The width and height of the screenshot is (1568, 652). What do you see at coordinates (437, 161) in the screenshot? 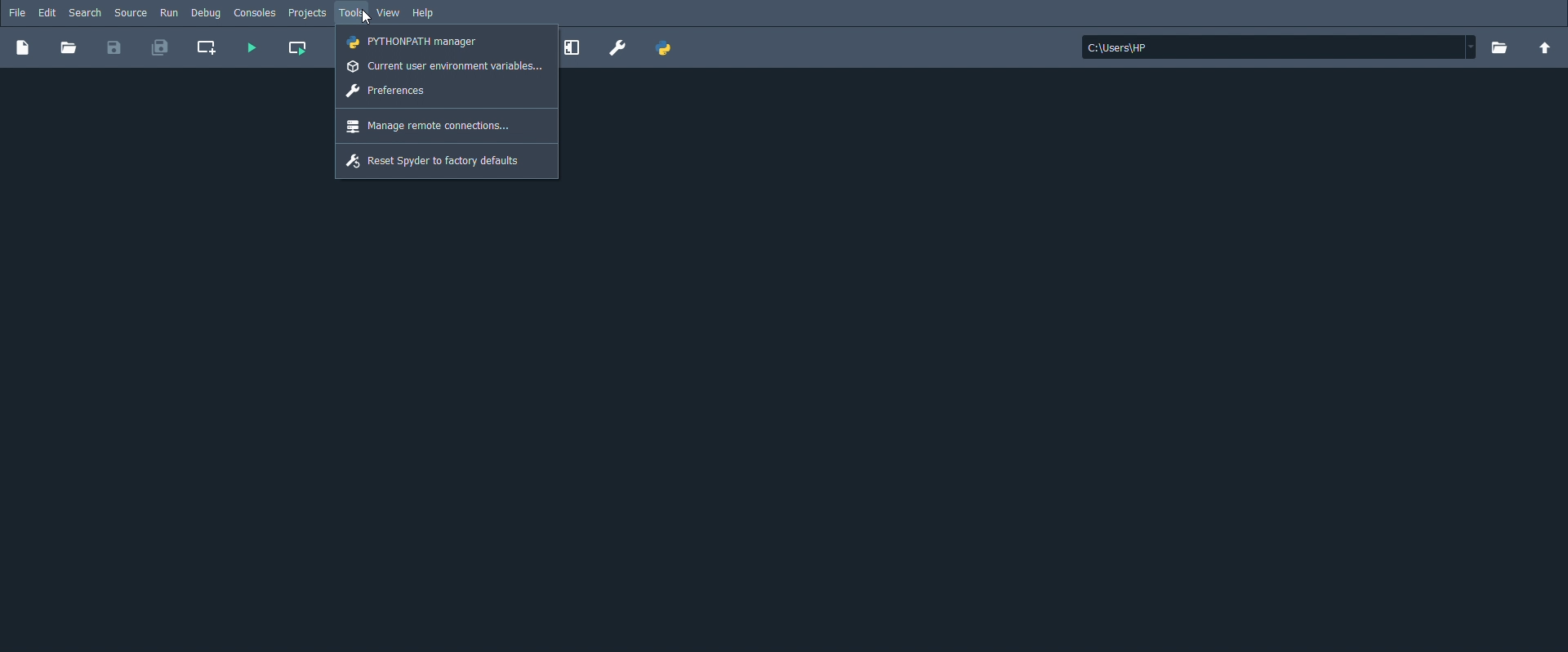
I see `Reset Spyder to factory defaults` at bounding box center [437, 161].